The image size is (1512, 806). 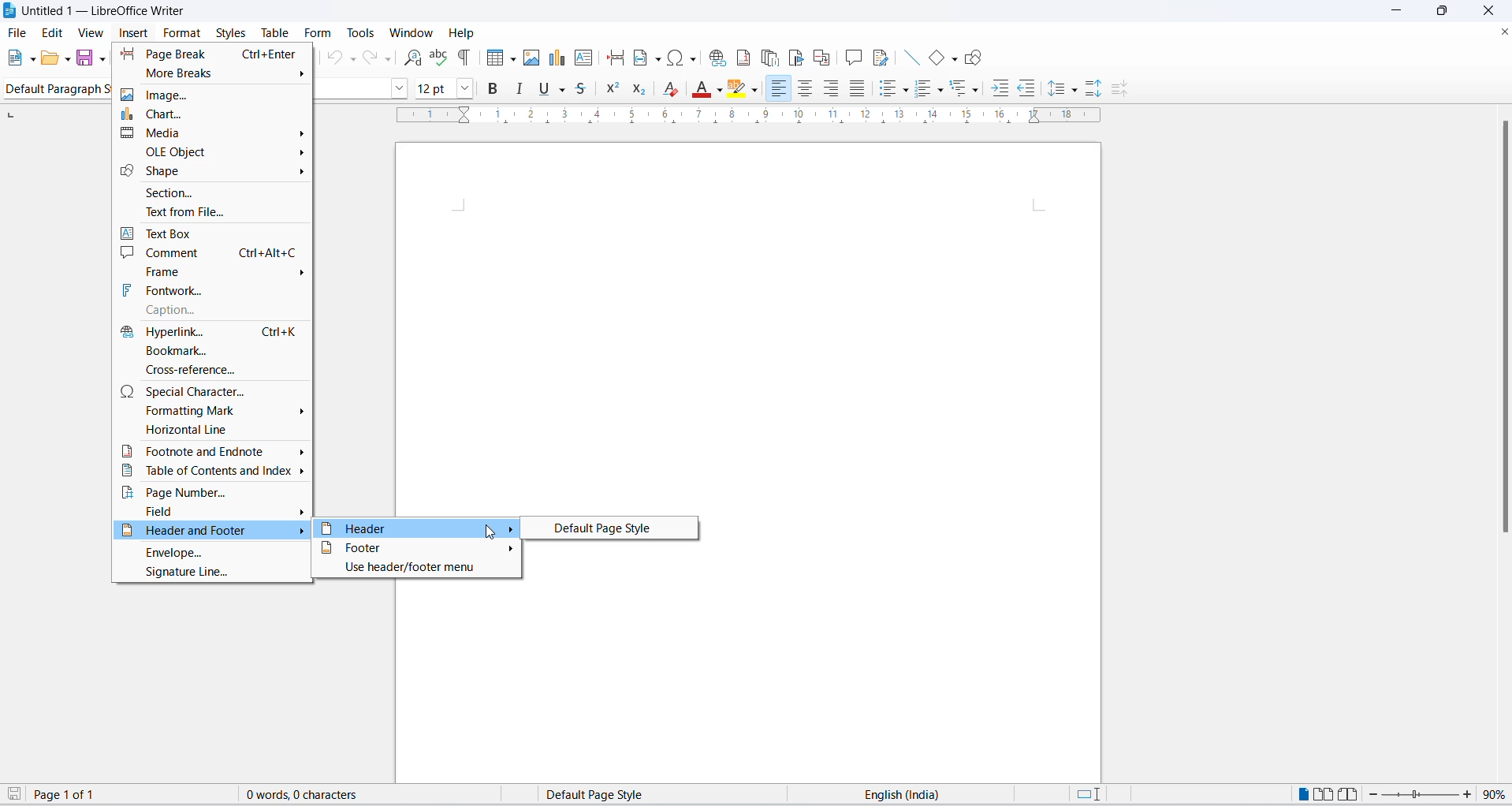 I want to click on window, so click(x=408, y=33).